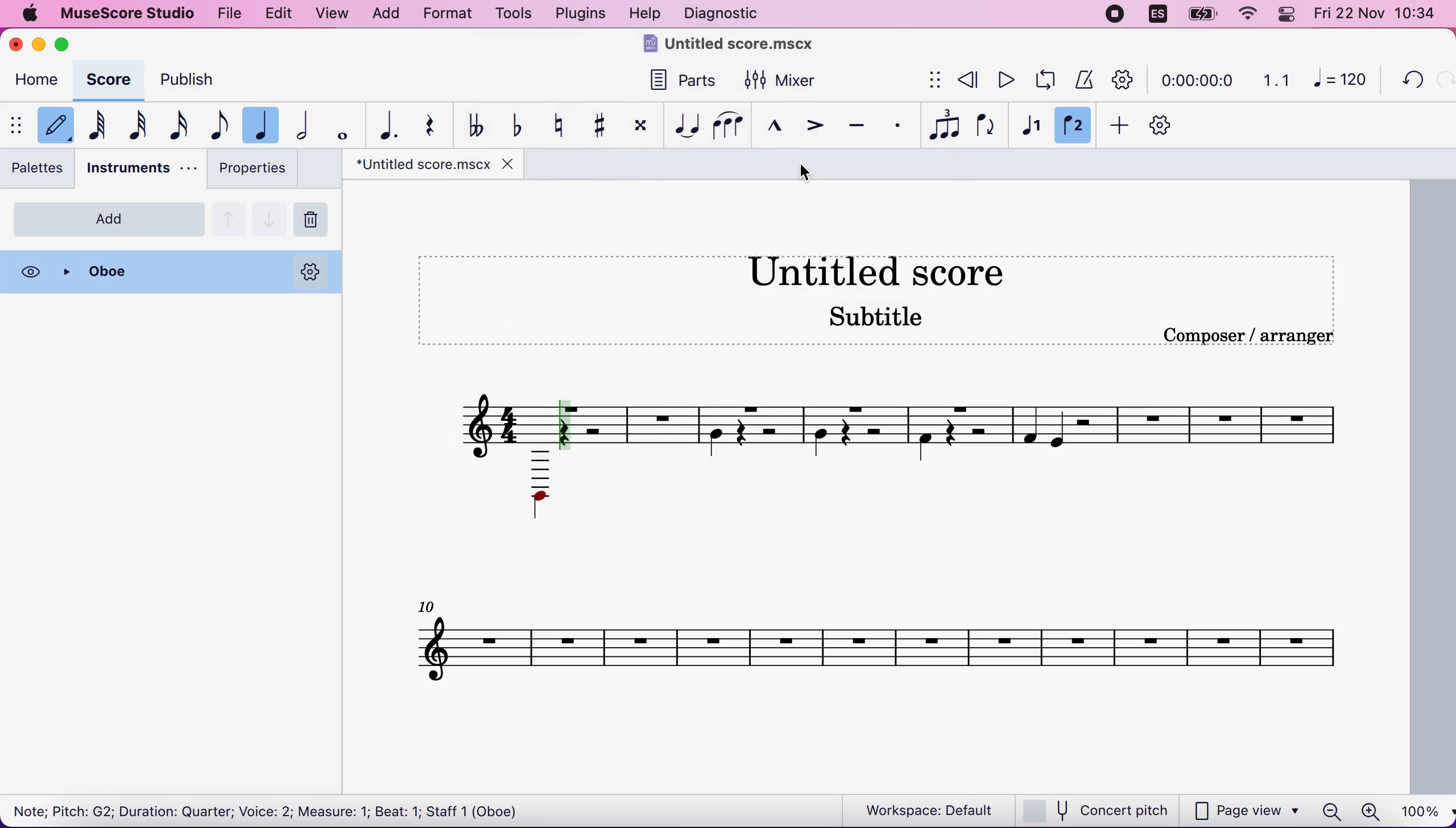  Describe the element at coordinates (582, 14) in the screenshot. I see `plugins` at that location.